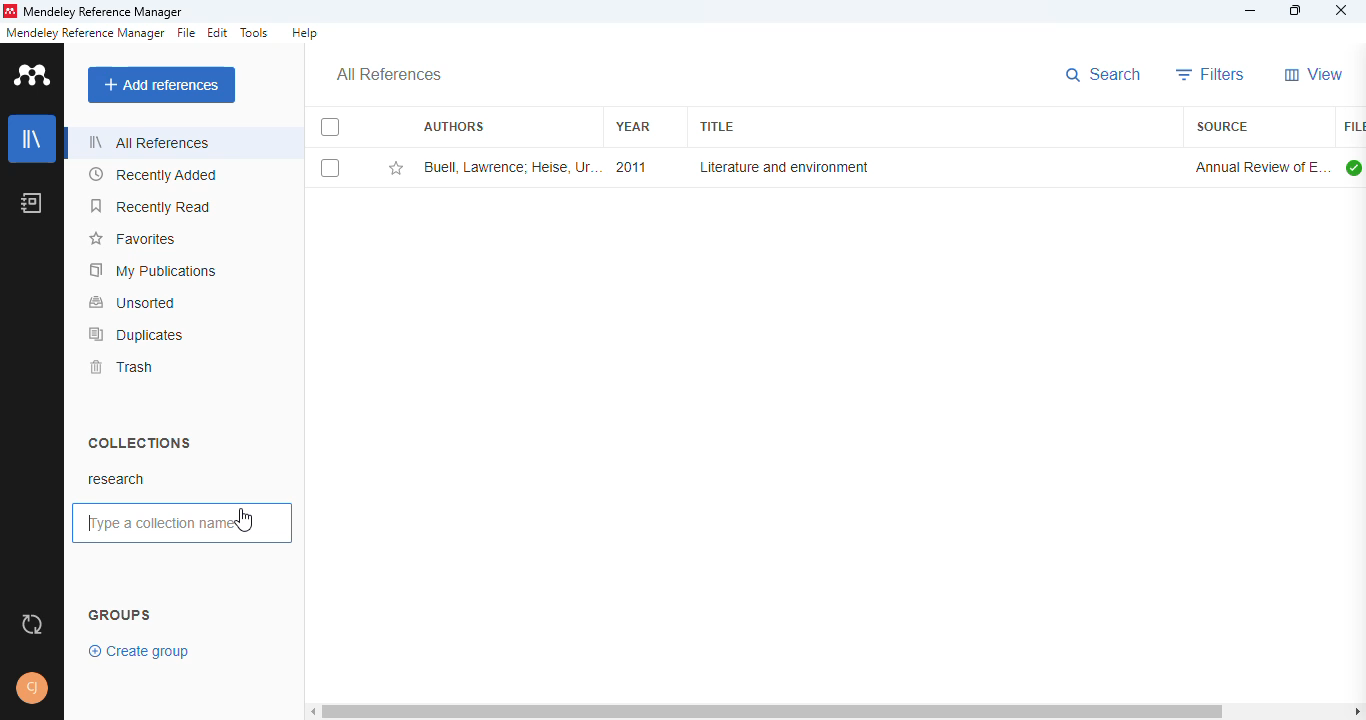 This screenshot has width=1366, height=720. I want to click on add references, so click(161, 85).